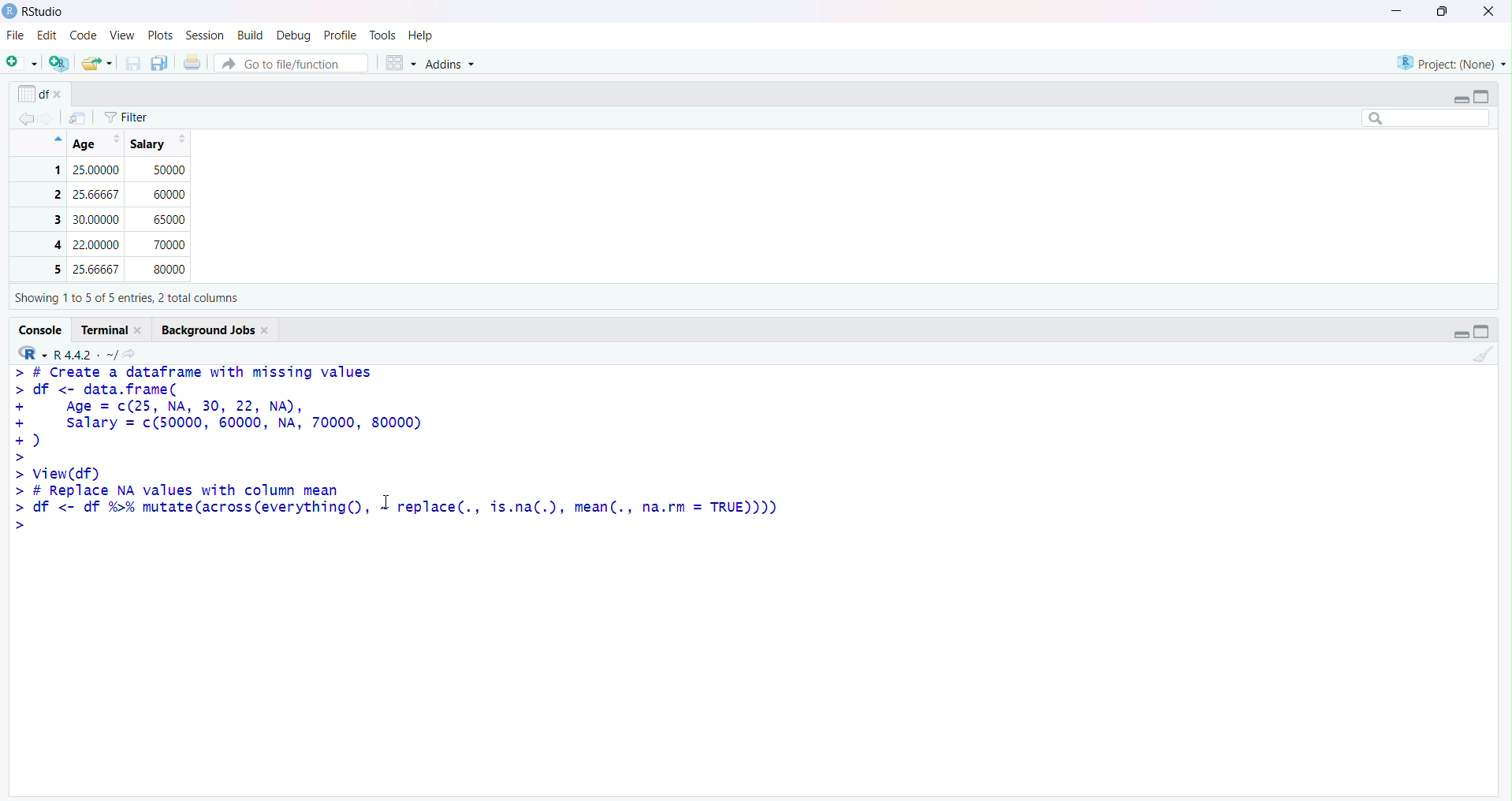 The height and width of the screenshot is (801, 1512). I want to click on Save all open documents (Ctrl + Alt + S), so click(159, 61).